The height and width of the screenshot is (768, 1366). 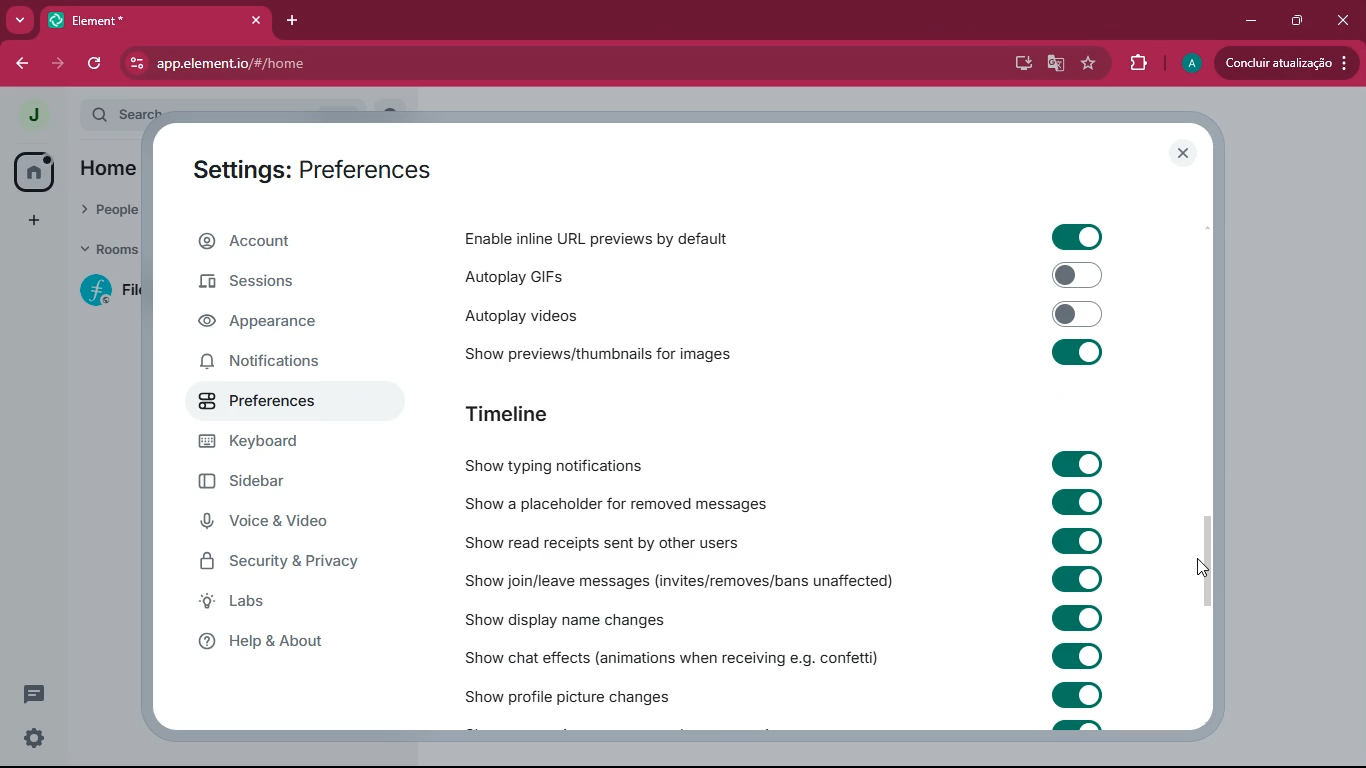 What do you see at coordinates (1018, 64) in the screenshot?
I see `desktop` at bounding box center [1018, 64].